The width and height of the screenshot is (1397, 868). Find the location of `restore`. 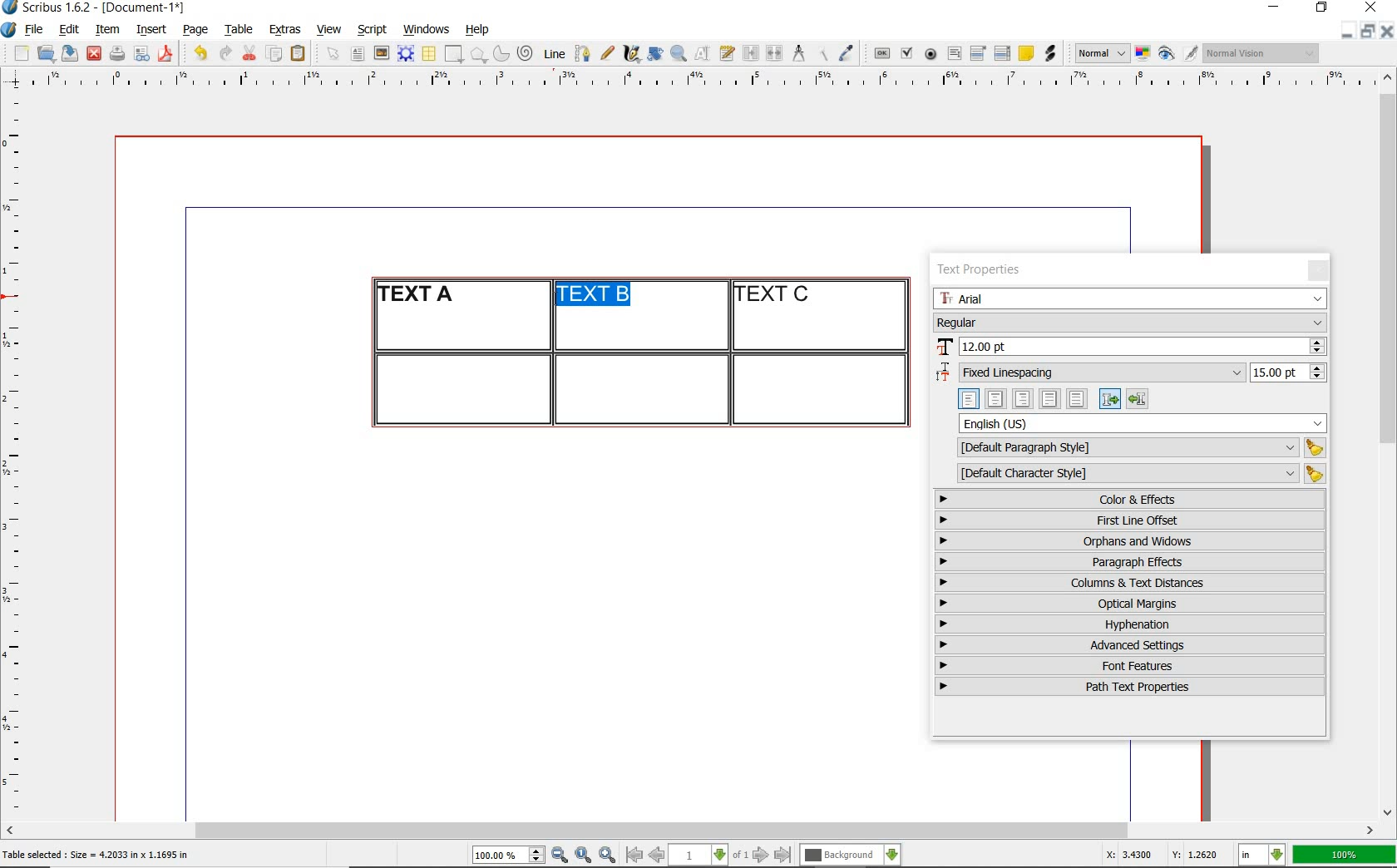

restore is located at coordinates (1368, 30).